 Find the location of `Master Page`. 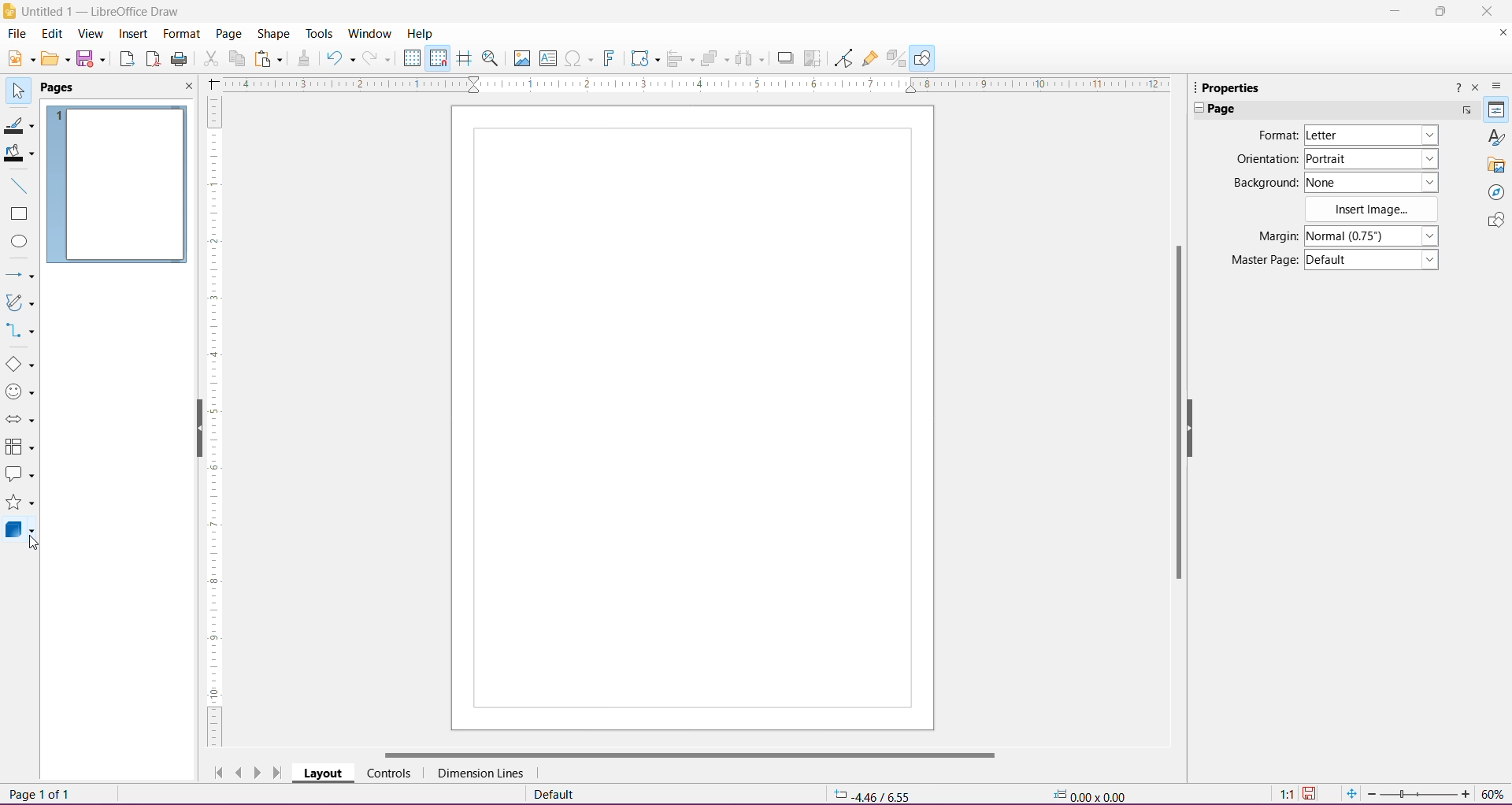

Master Page is located at coordinates (1262, 259).